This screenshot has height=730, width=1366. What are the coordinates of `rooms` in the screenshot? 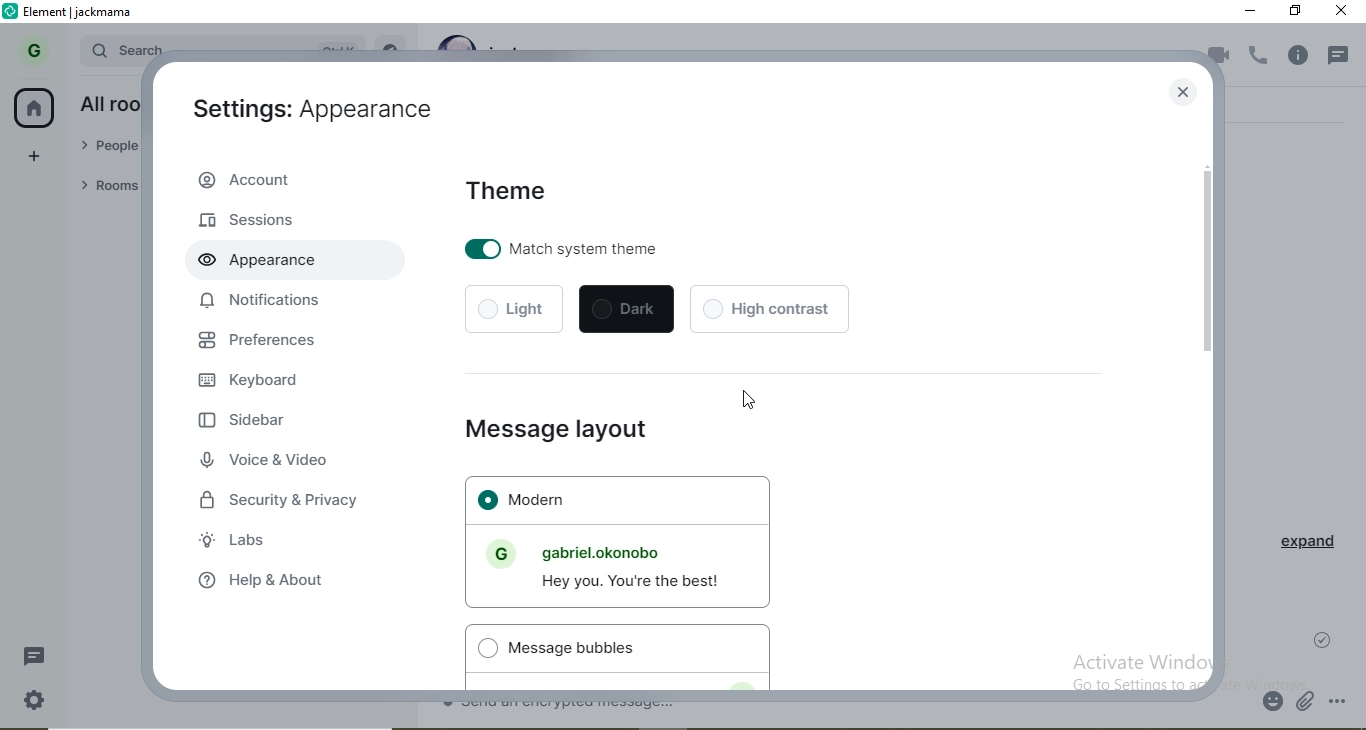 It's located at (105, 187).